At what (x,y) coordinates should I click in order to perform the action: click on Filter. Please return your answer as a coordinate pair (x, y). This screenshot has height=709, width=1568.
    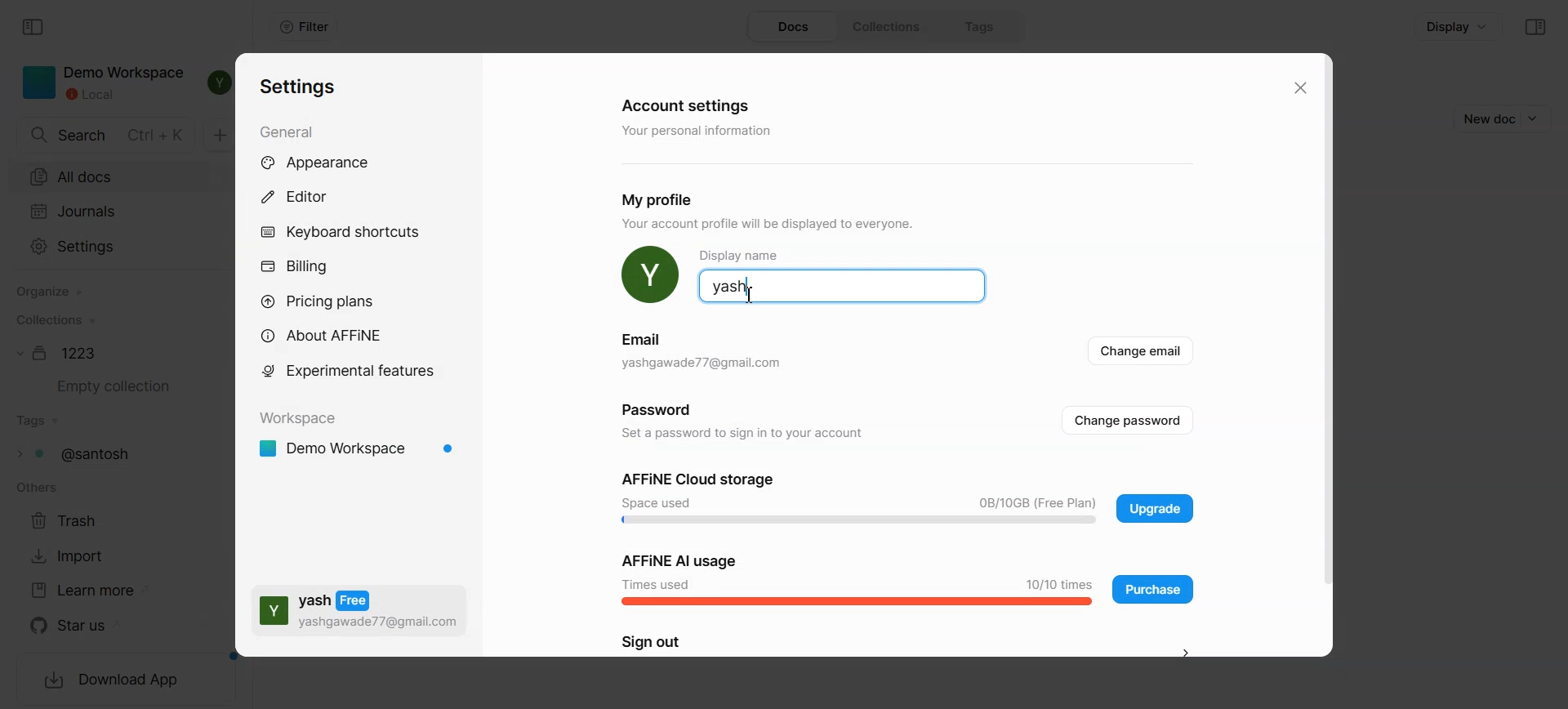
    Looking at the image, I should click on (304, 27).